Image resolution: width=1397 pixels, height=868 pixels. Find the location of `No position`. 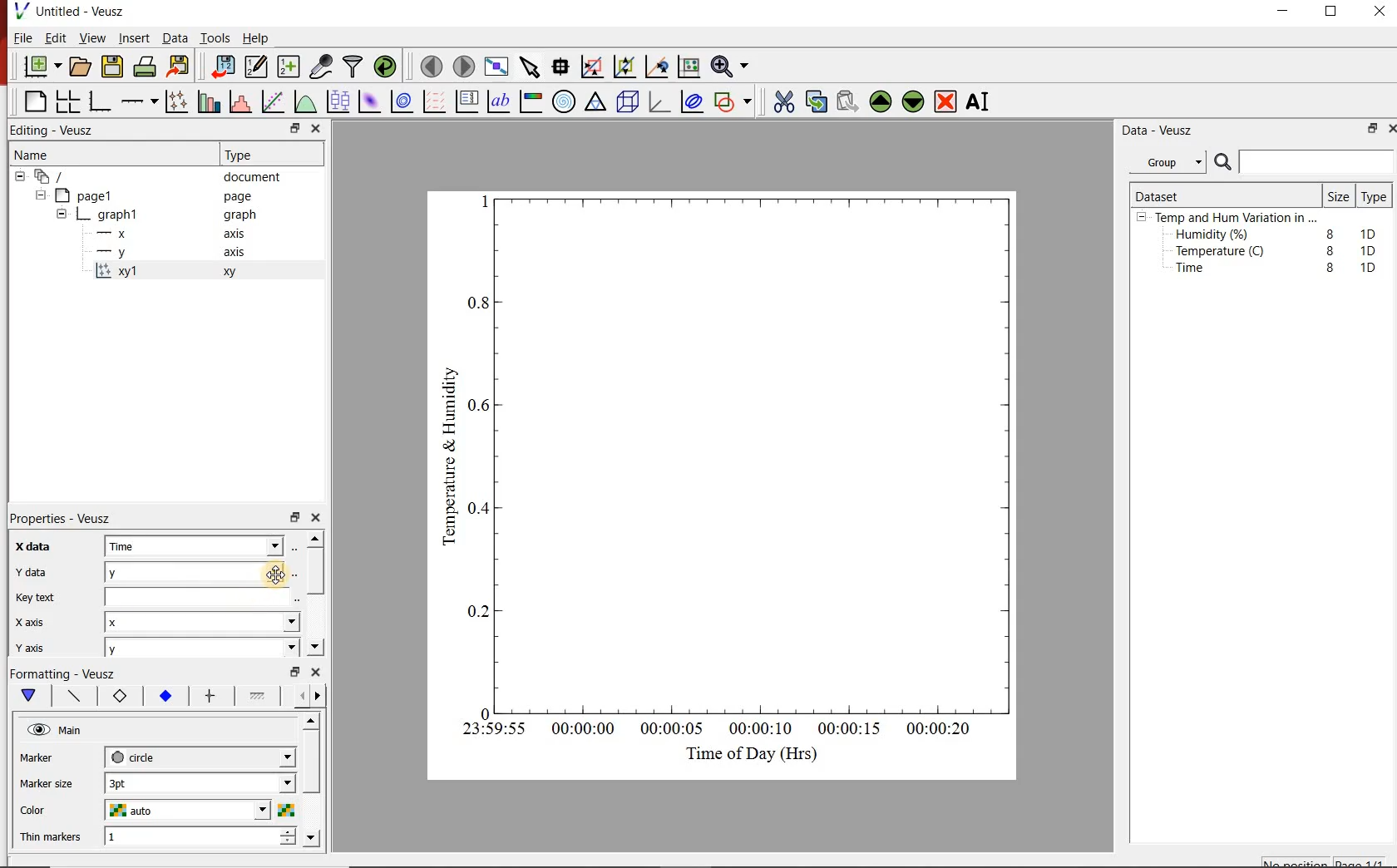

No position is located at coordinates (1296, 862).